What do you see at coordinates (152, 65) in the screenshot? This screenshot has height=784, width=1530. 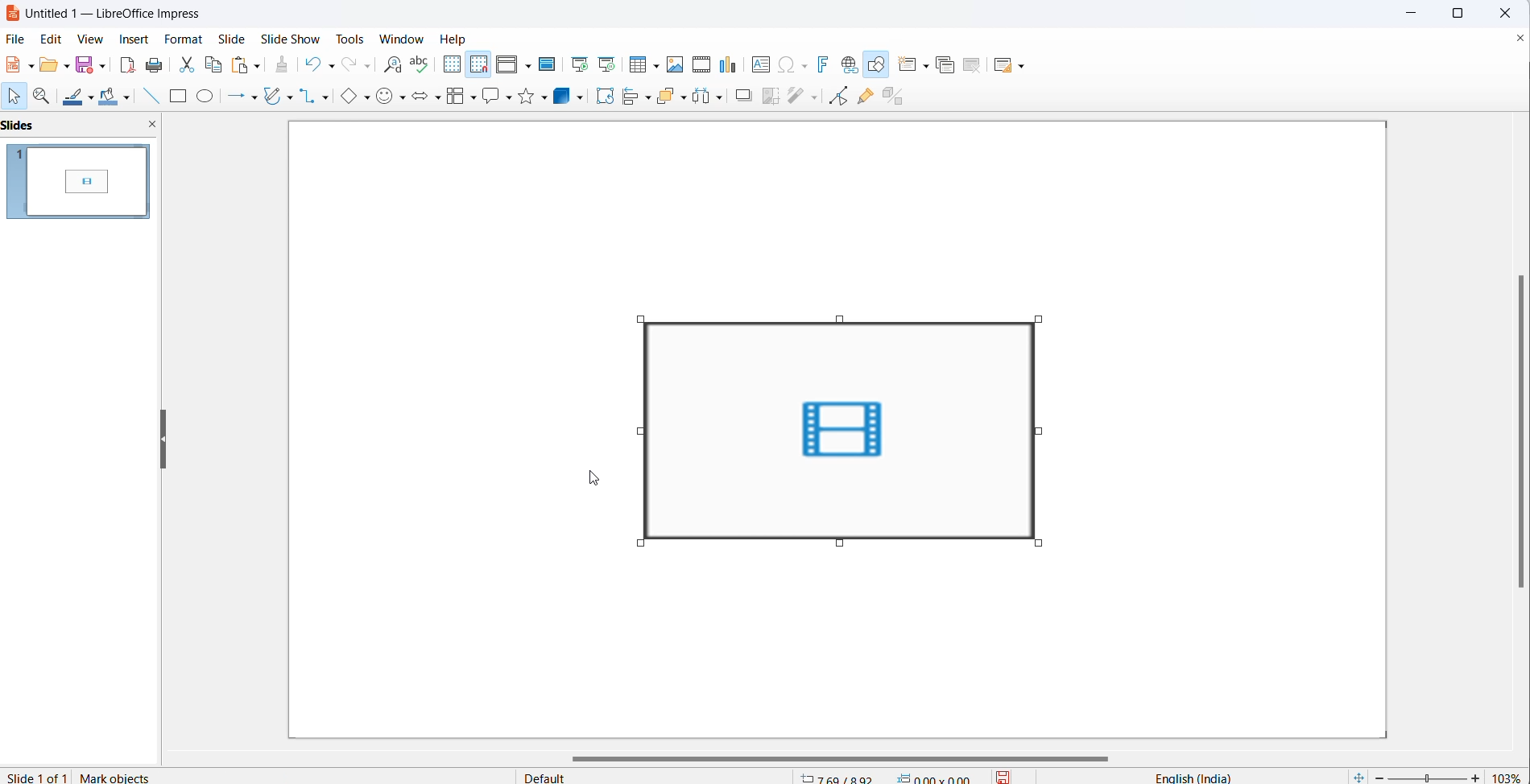 I see `print` at bounding box center [152, 65].